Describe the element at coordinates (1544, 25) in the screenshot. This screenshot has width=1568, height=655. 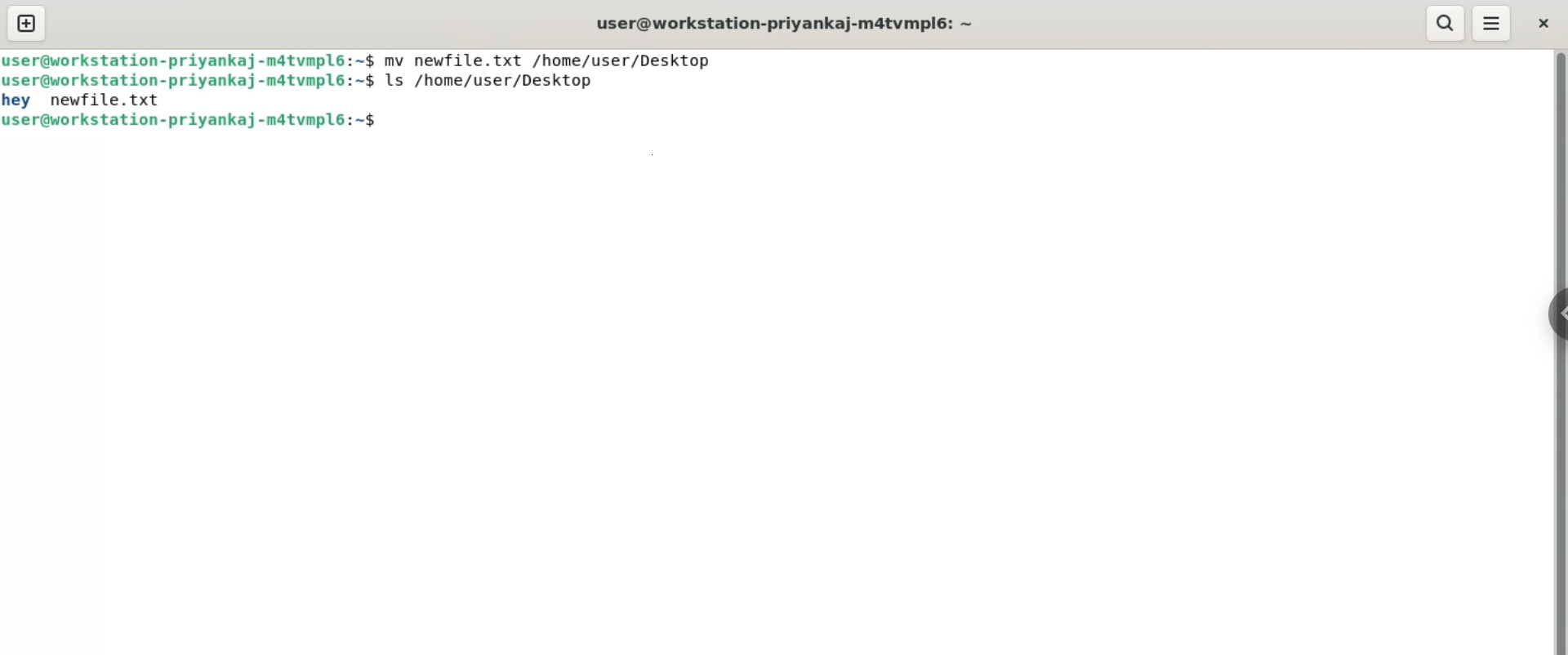
I see `close` at that location.